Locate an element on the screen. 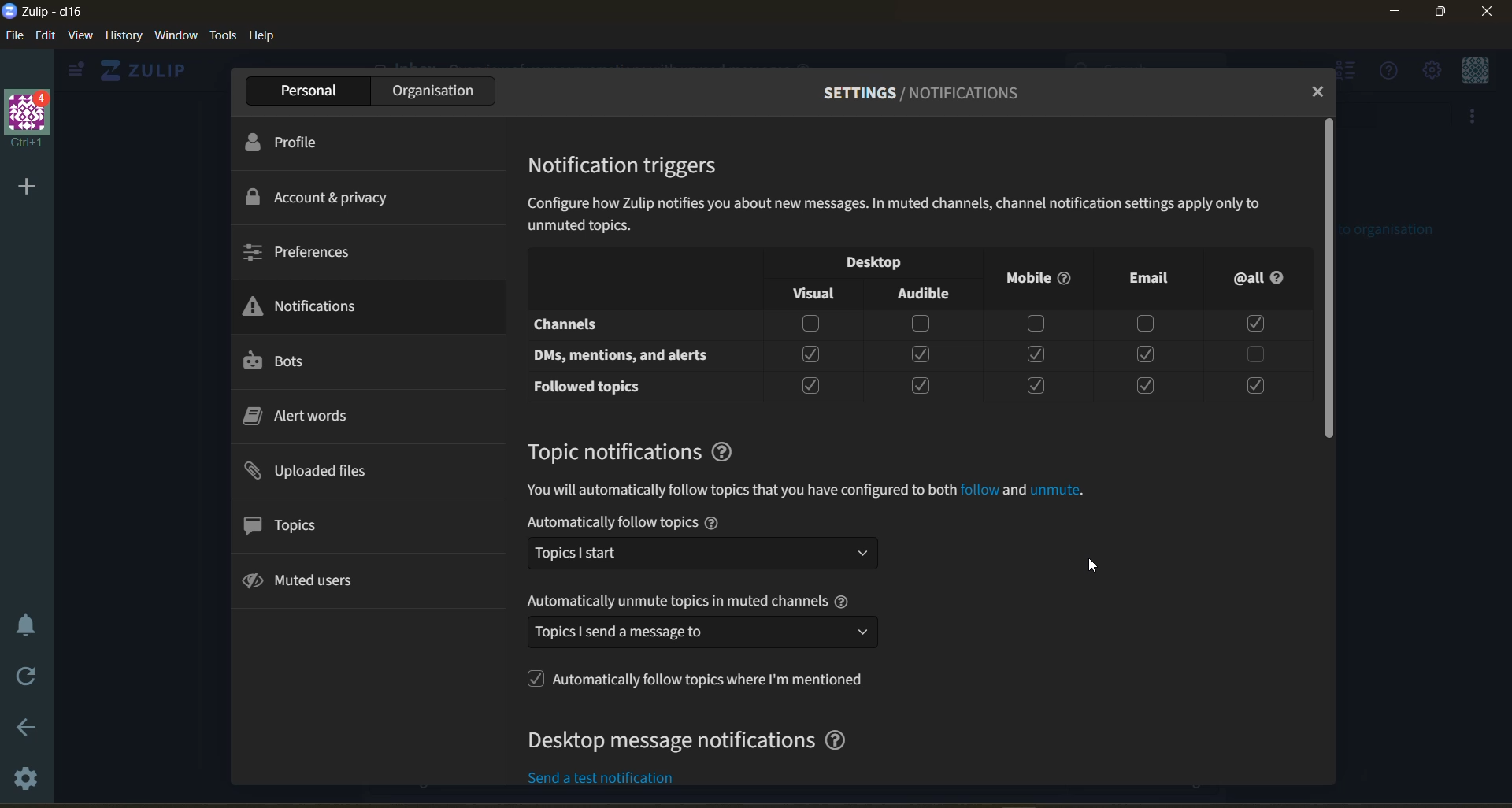 The width and height of the screenshot is (1512, 808). Checkbox is located at coordinates (810, 325).